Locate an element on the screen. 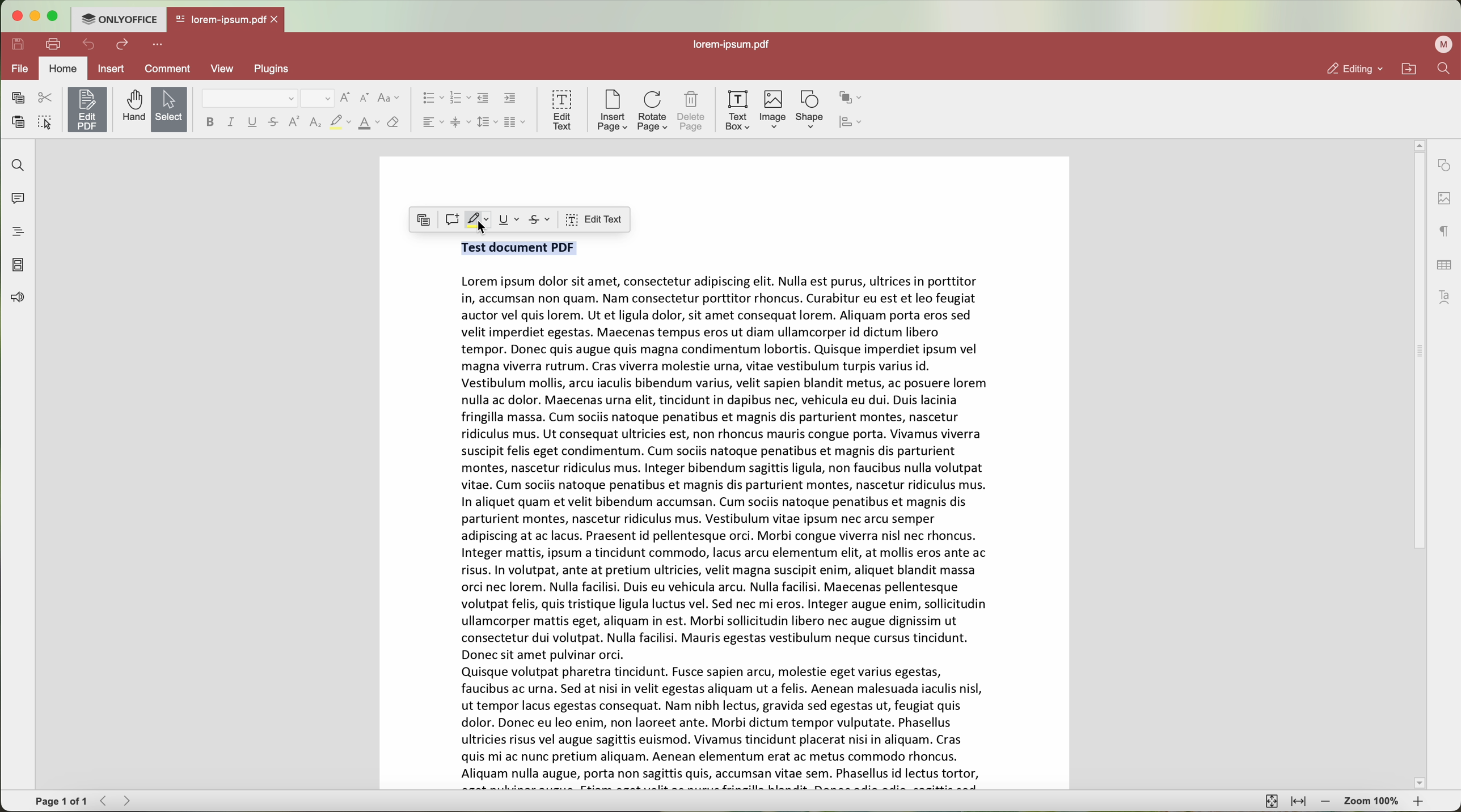 The image size is (1461, 812). selected title is located at coordinates (520, 249).